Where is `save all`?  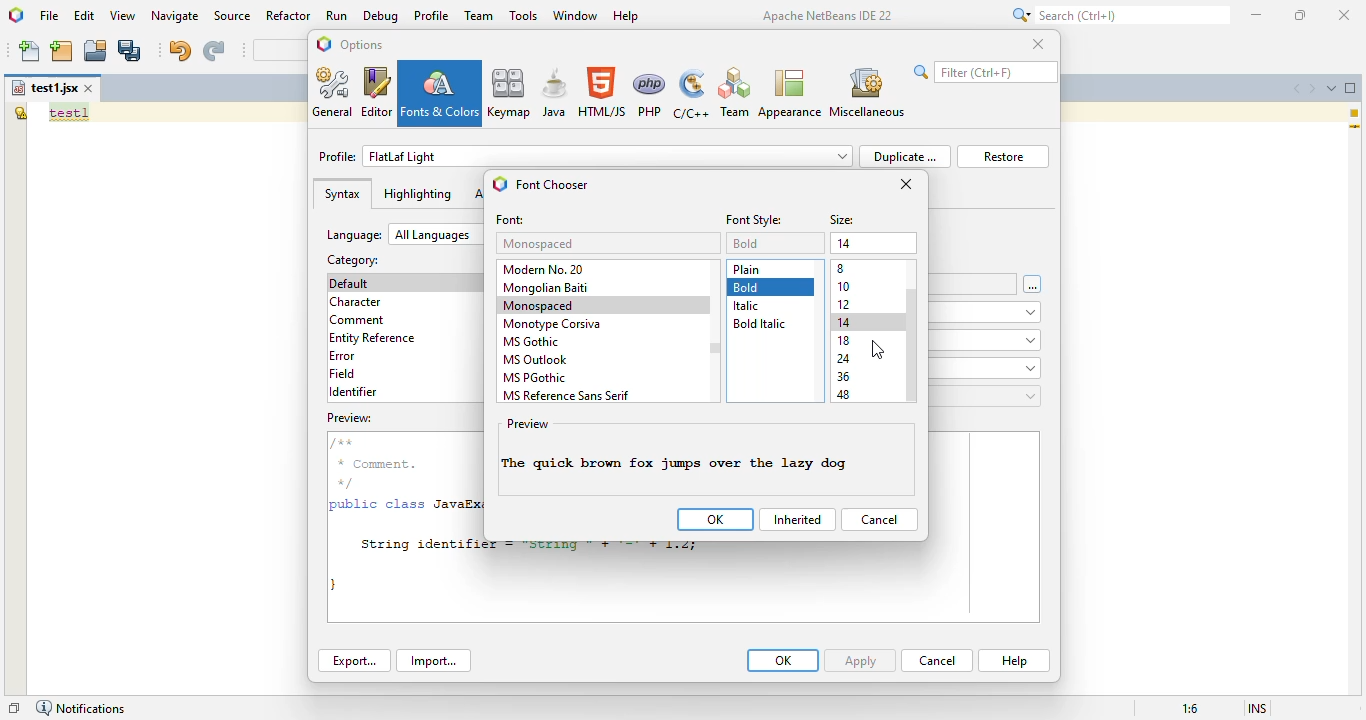
save all is located at coordinates (131, 50).